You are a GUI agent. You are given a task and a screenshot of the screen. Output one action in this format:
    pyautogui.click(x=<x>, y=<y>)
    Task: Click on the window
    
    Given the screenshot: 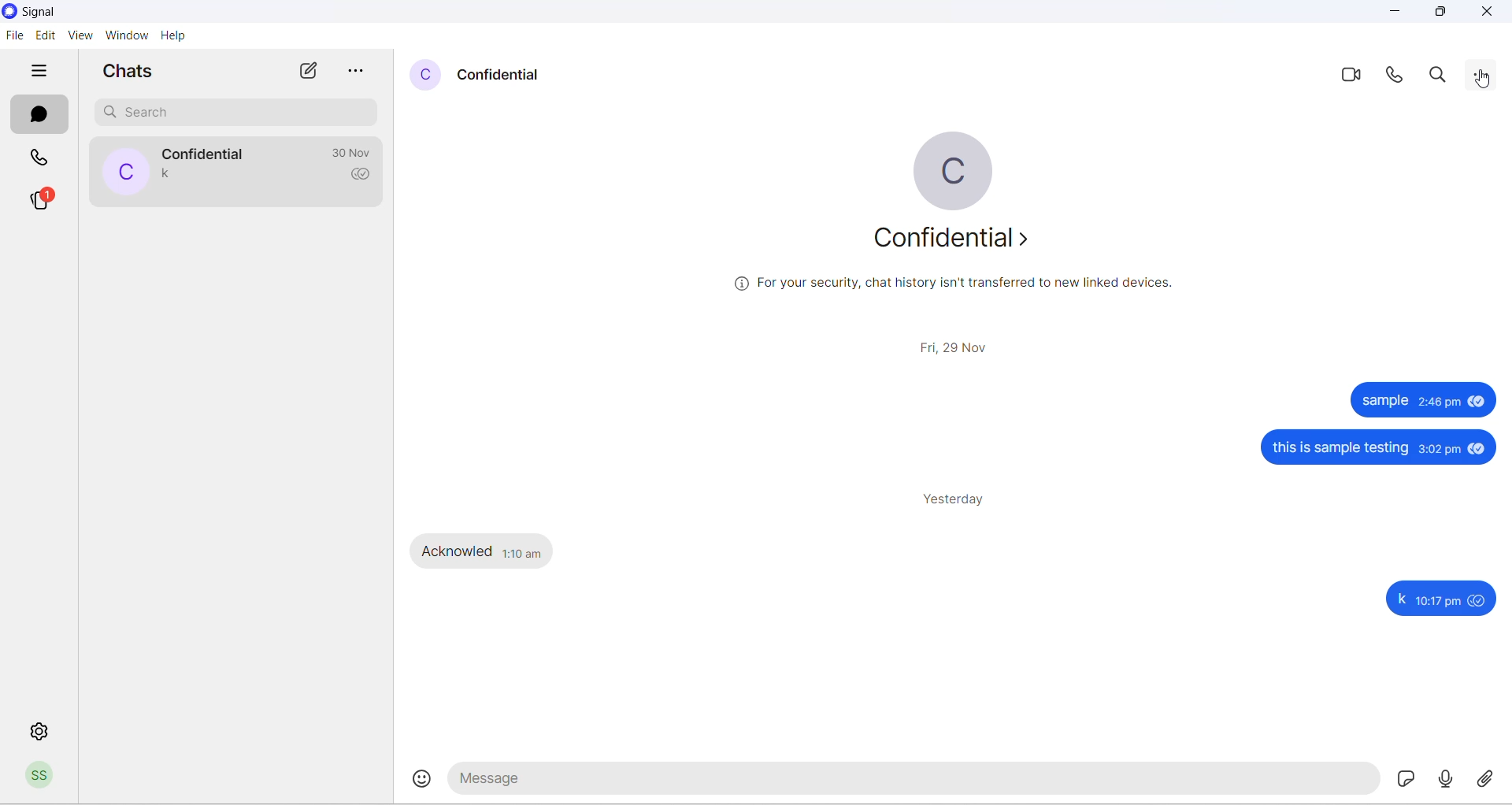 What is the action you would take?
    pyautogui.click(x=128, y=35)
    